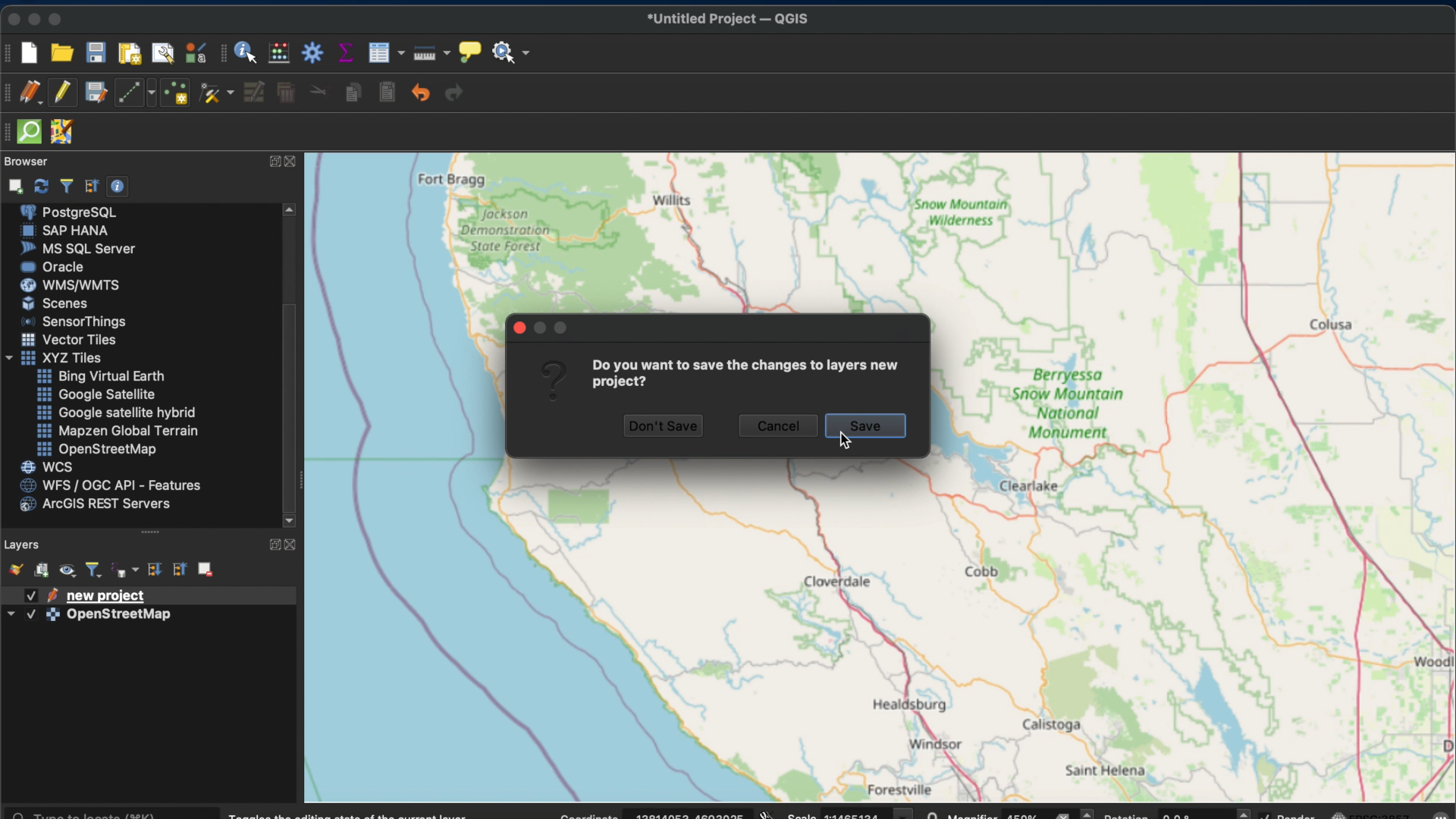 The image size is (1456, 819). Describe the element at coordinates (52, 266) in the screenshot. I see `oracle ` at that location.